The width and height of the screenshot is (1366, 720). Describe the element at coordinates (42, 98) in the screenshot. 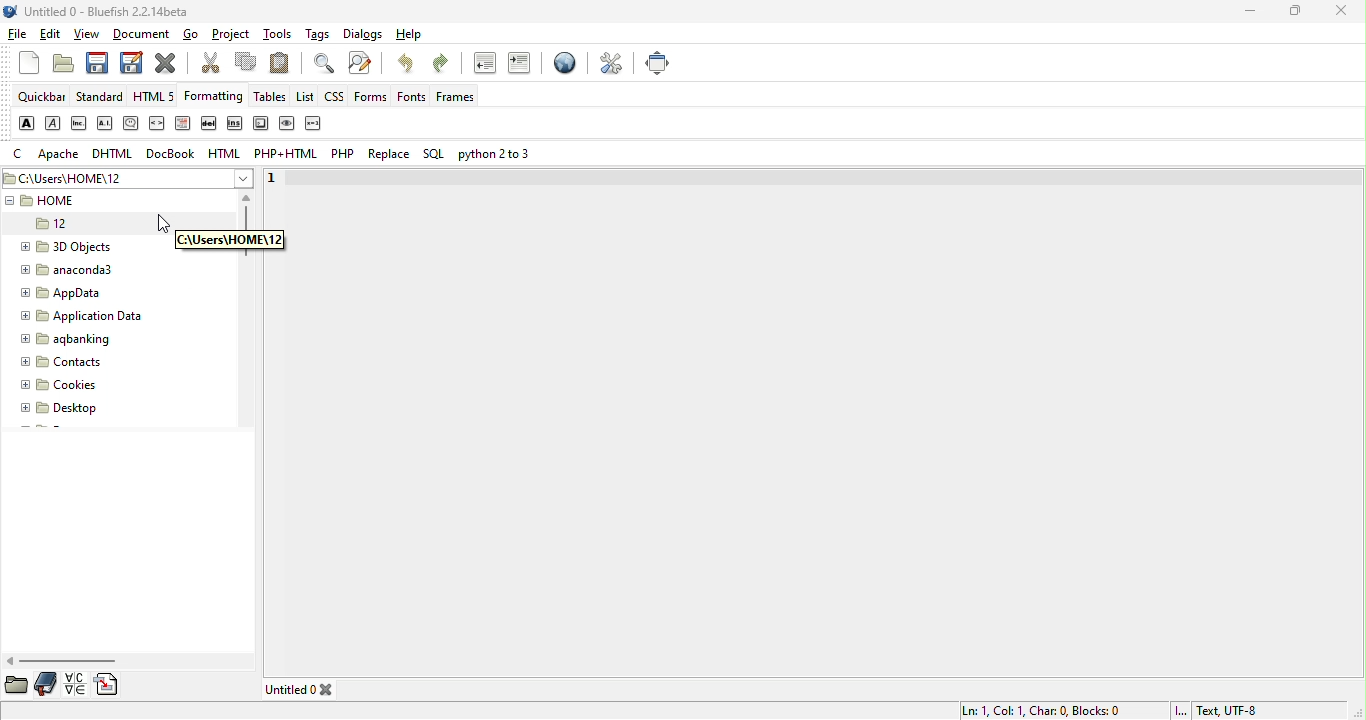

I see `quickbar` at that location.